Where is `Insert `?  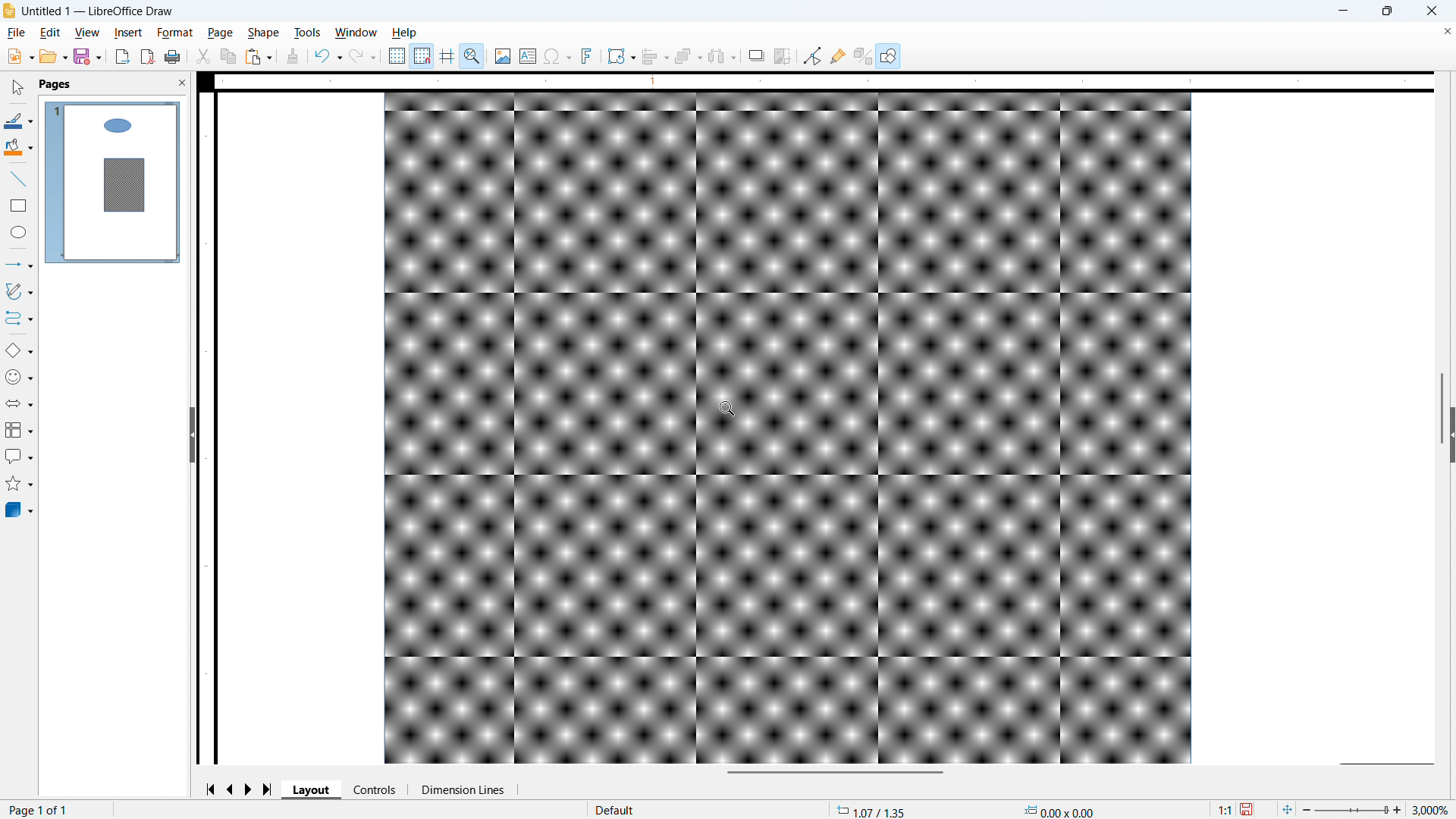 Insert  is located at coordinates (128, 33).